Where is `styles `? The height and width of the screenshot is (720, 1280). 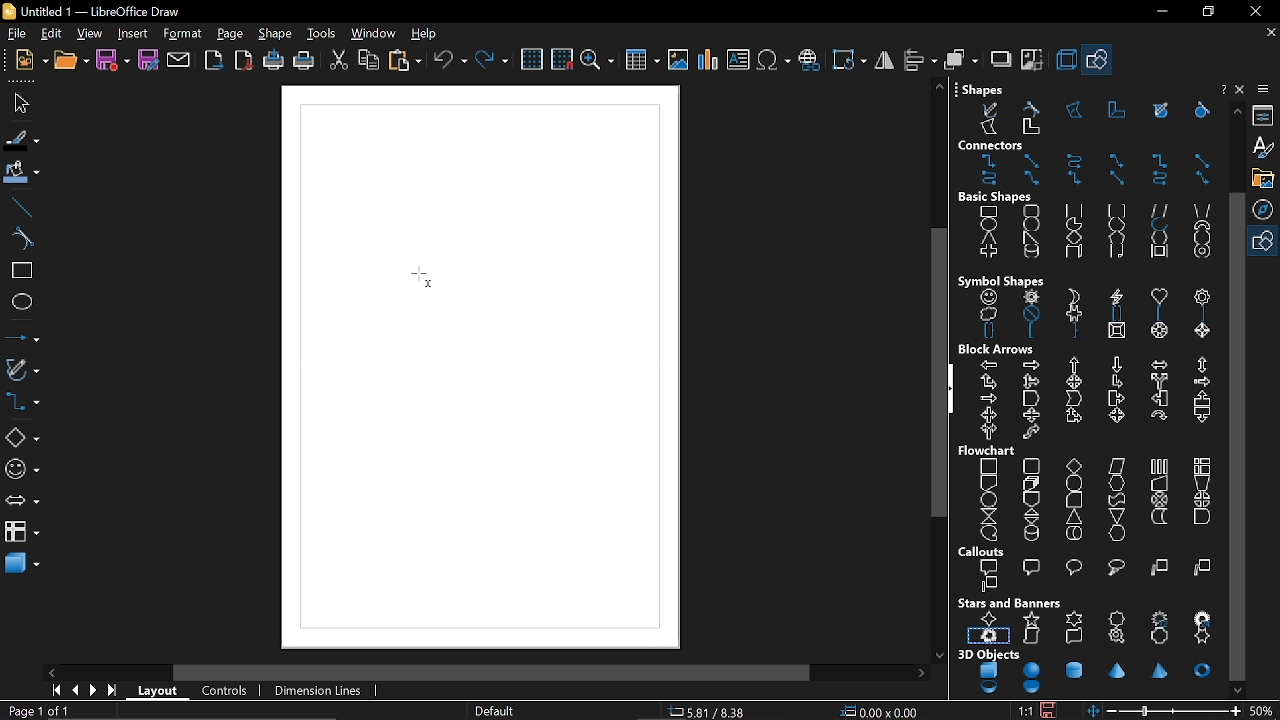 styles  is located at coordinates (1266, 147).